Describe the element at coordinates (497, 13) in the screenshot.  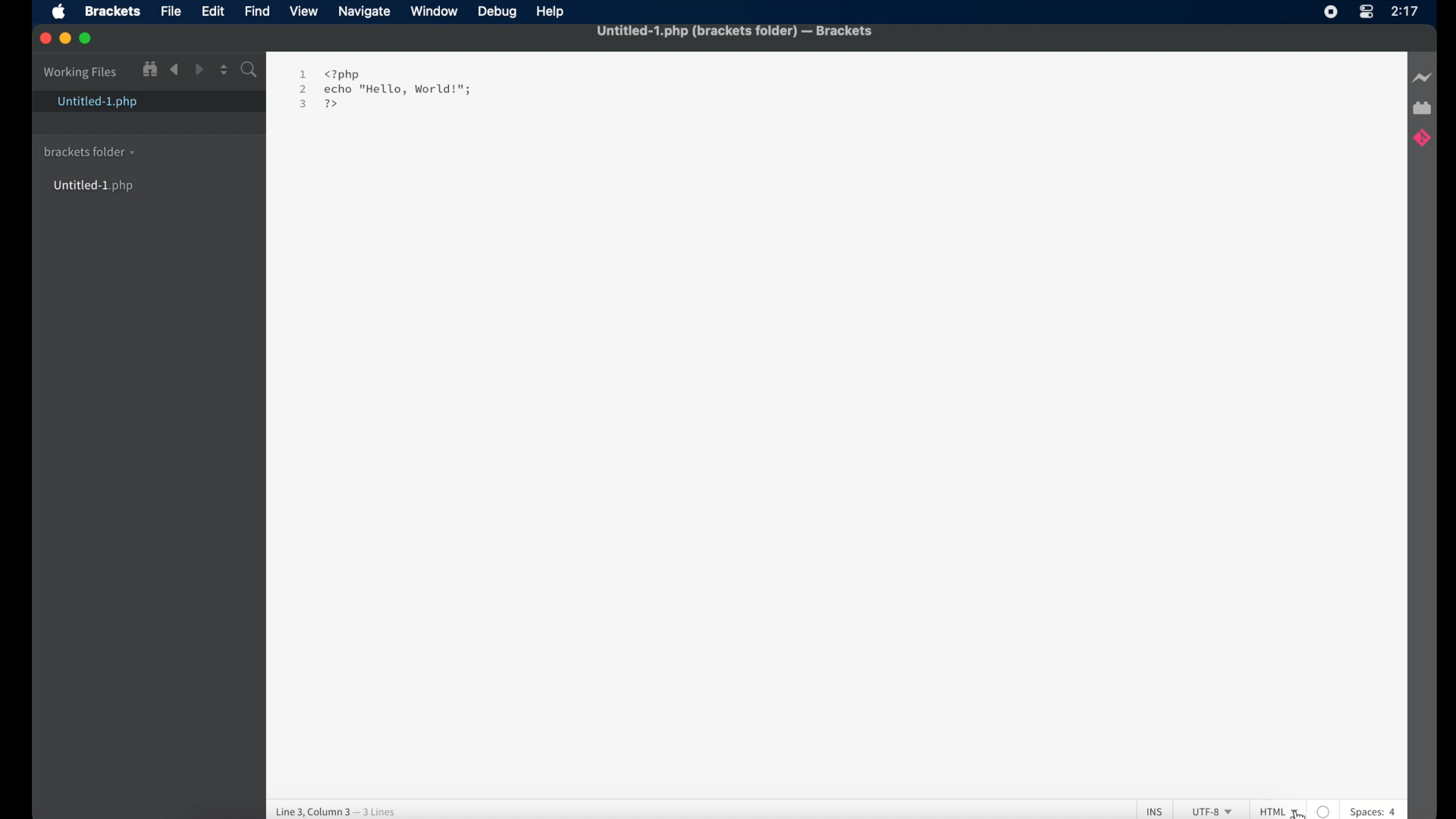
I see `debug` at that location.